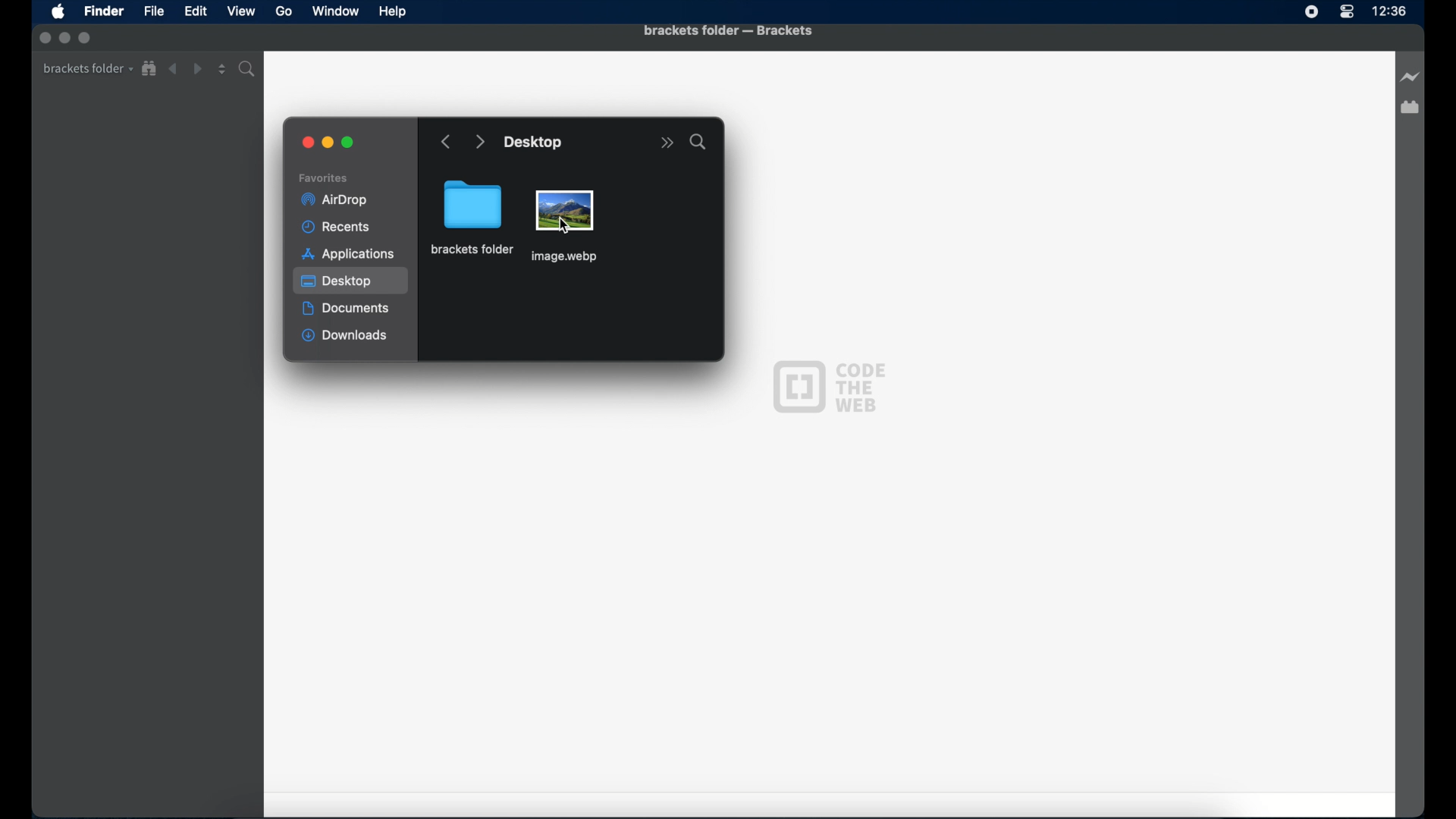 The image size is (1456, 819). Describe the element at coordinates (1312, 13) in the screenshot. I see `screen recorder icon` at that location.